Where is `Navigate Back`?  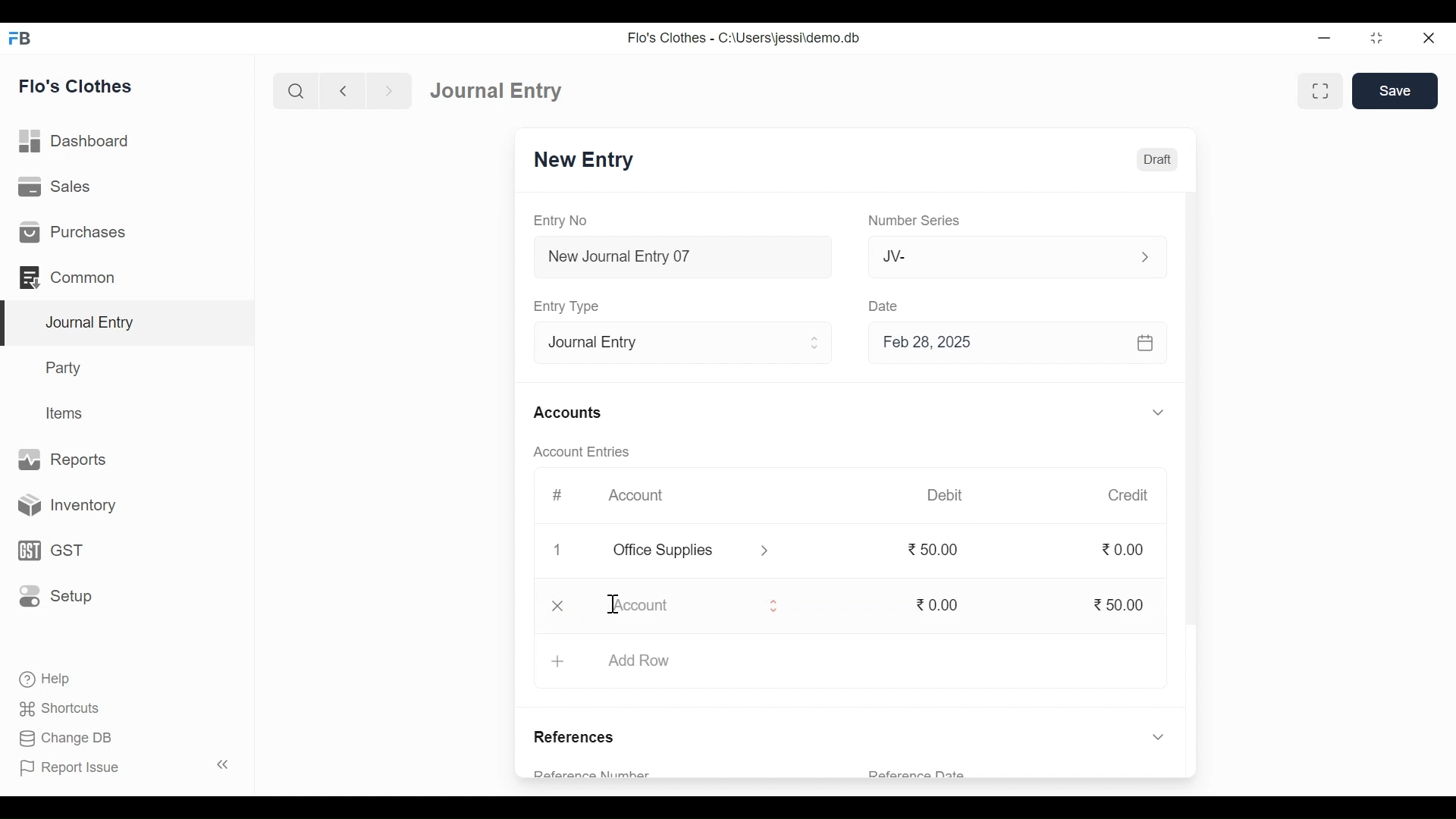 Navigate Back is located at coordinates (342, 91).